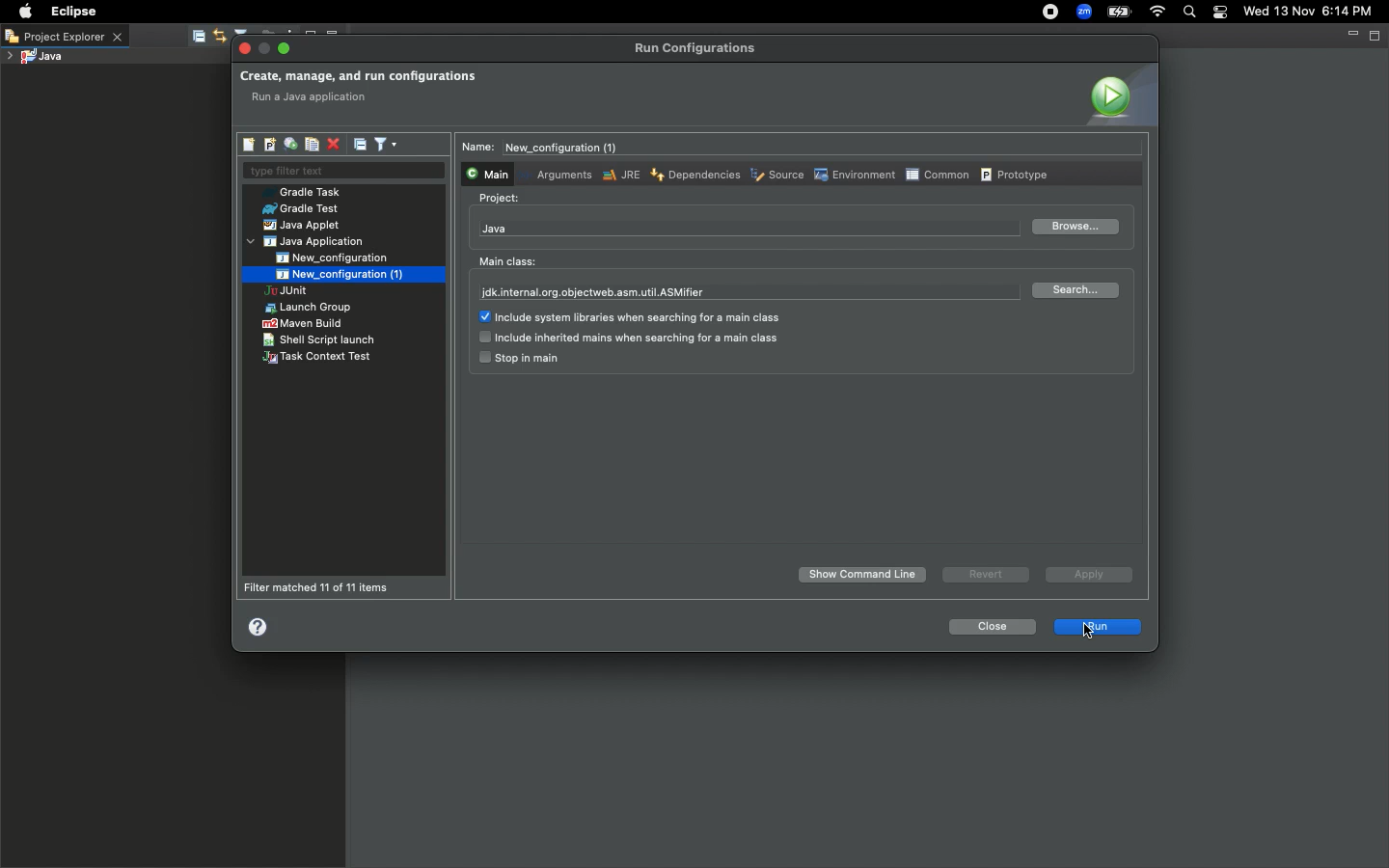  Describe the element at coordinates (1017, 174) in the screenshot. I see `Prototype` at that location.